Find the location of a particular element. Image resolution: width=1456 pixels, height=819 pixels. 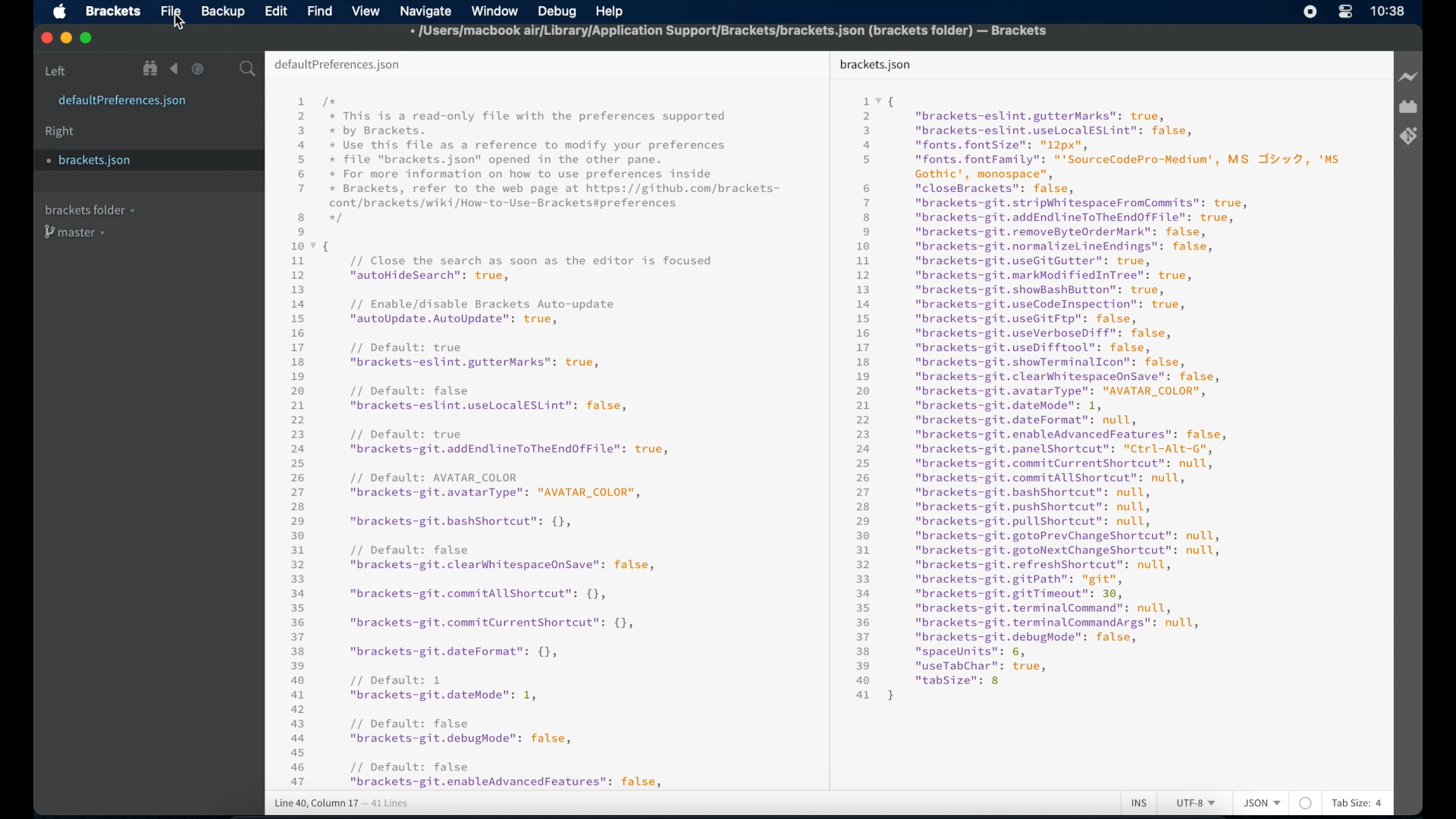

backup is located at coordinates (223, 11).